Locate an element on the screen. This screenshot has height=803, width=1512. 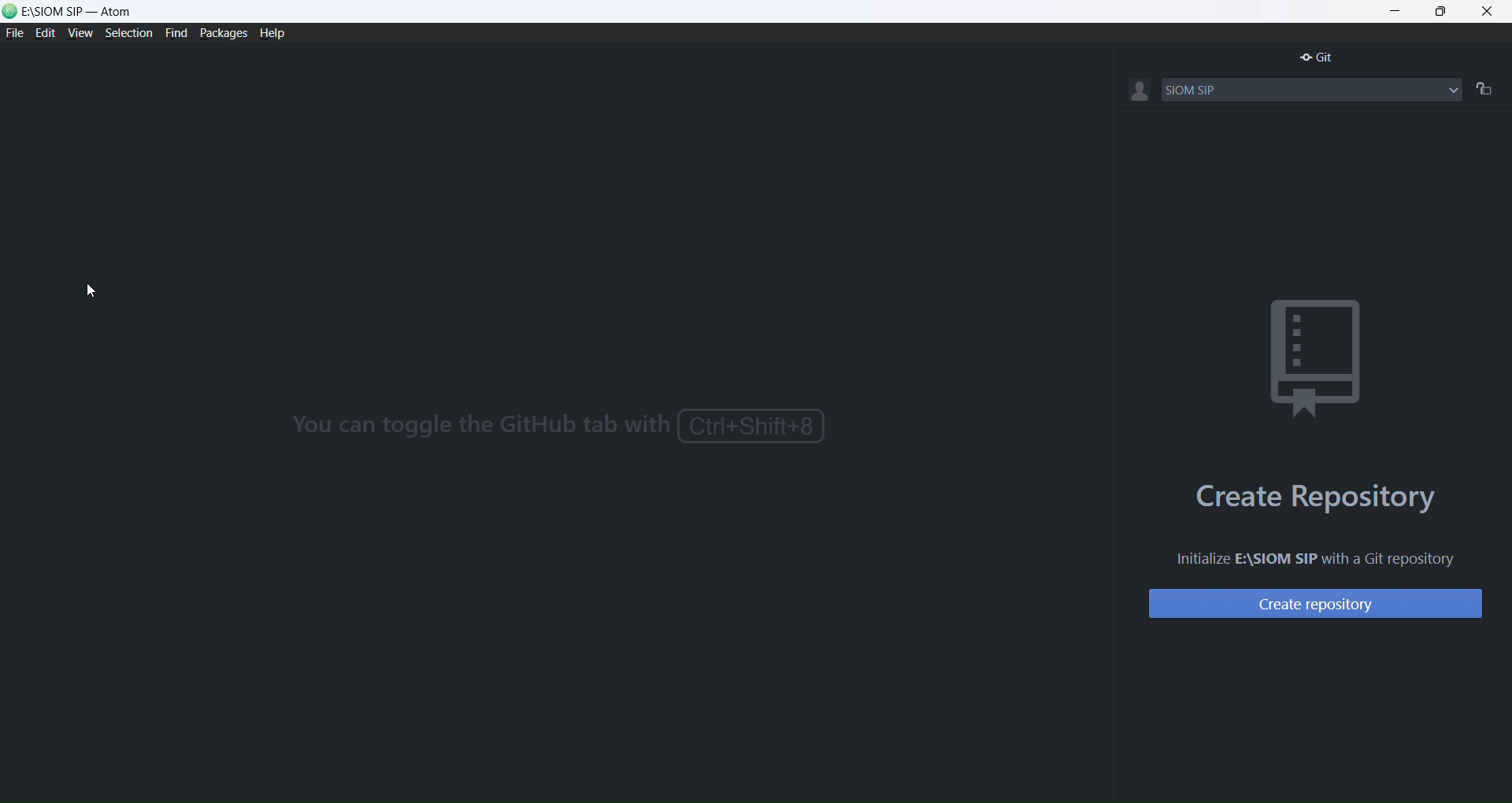
selection is located at coordinates (130, 34).